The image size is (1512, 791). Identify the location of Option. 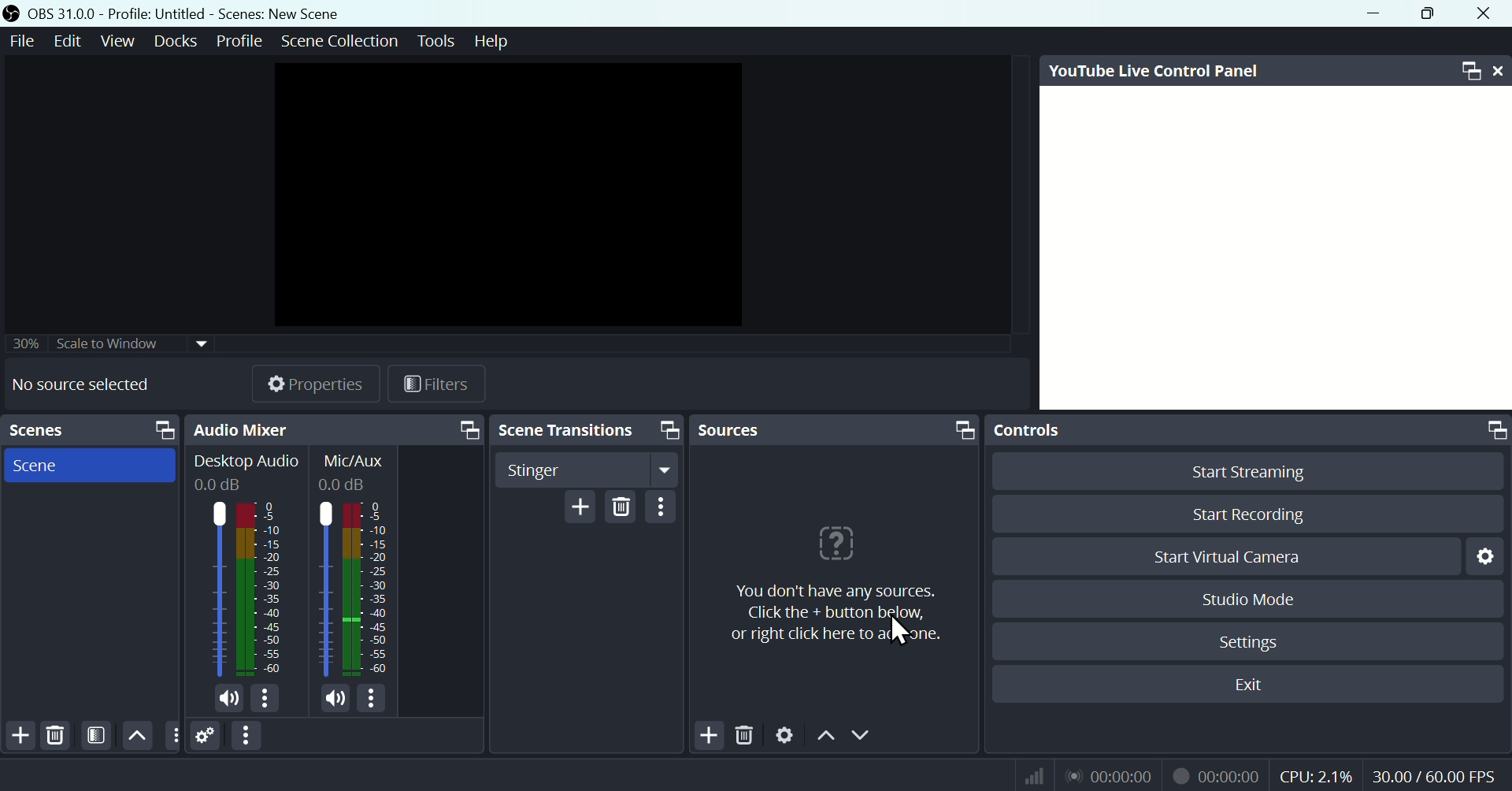
(248, 736).